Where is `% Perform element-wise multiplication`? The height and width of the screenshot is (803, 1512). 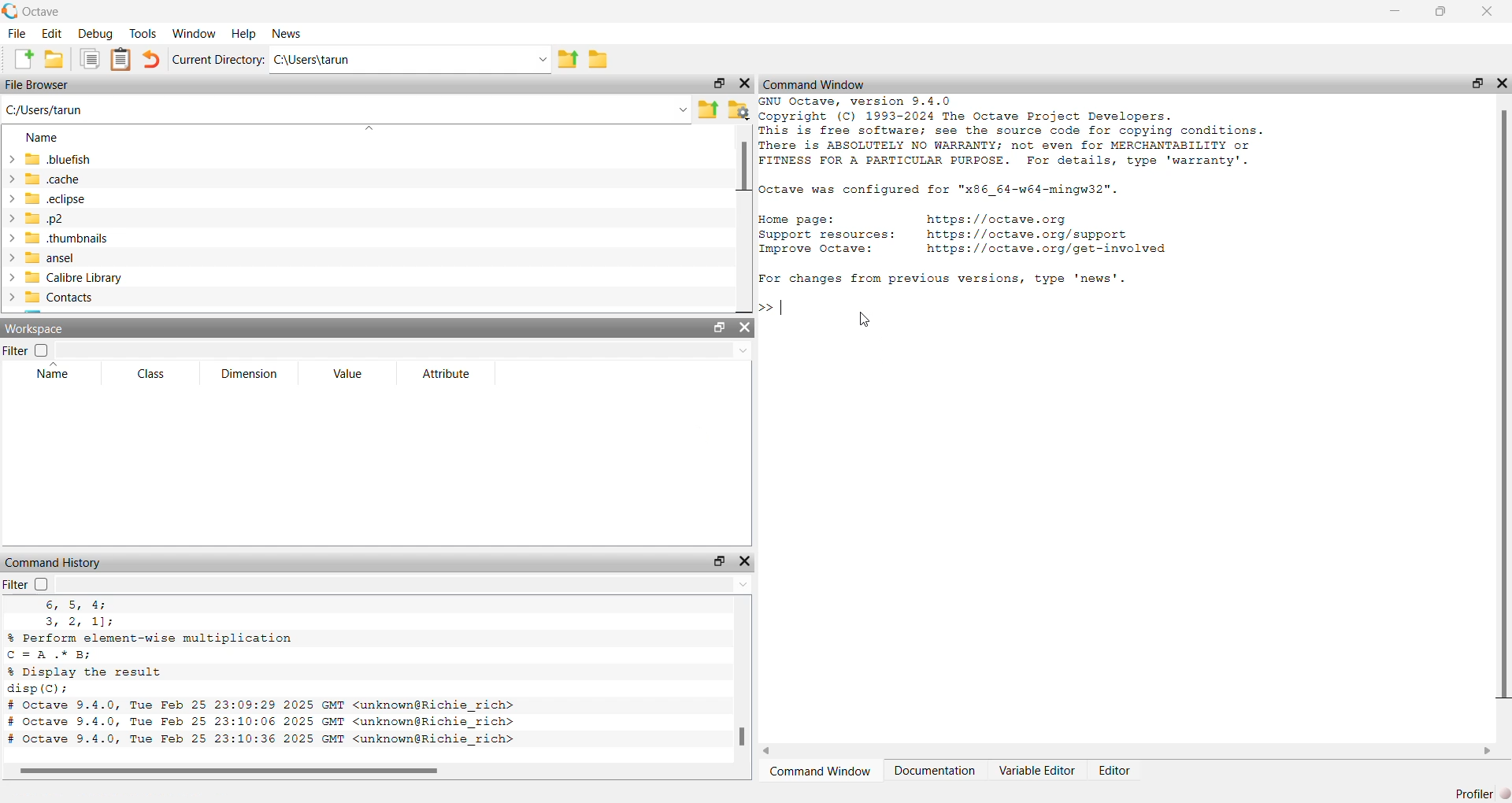
% Perform element-wise multiplication is located at coordinates (151, 637).